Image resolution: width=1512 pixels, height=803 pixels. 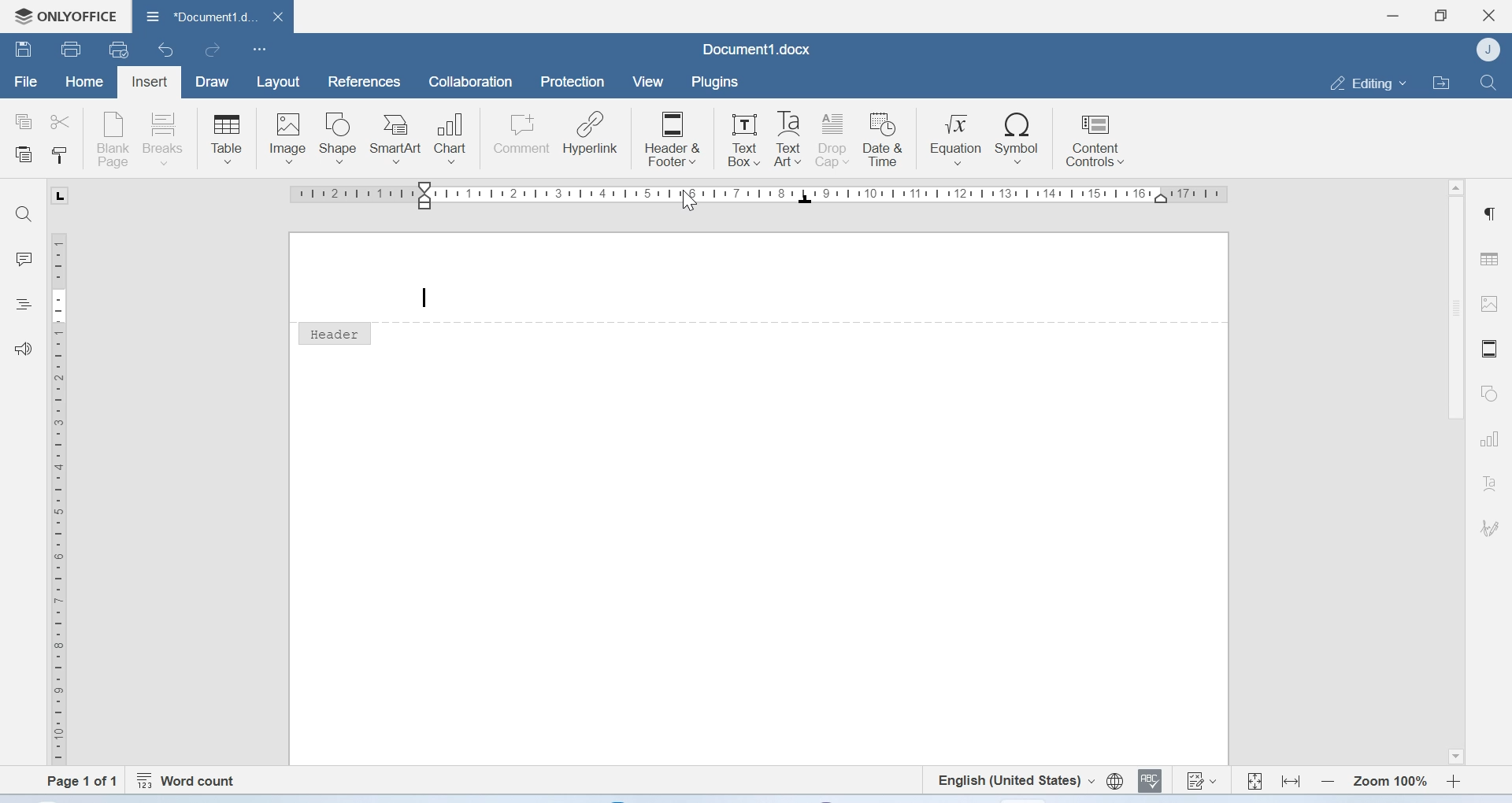 What do you see at coordinates (730, 135) in the screenshot?
I see `Text Box` at bounding box center [730, 135].